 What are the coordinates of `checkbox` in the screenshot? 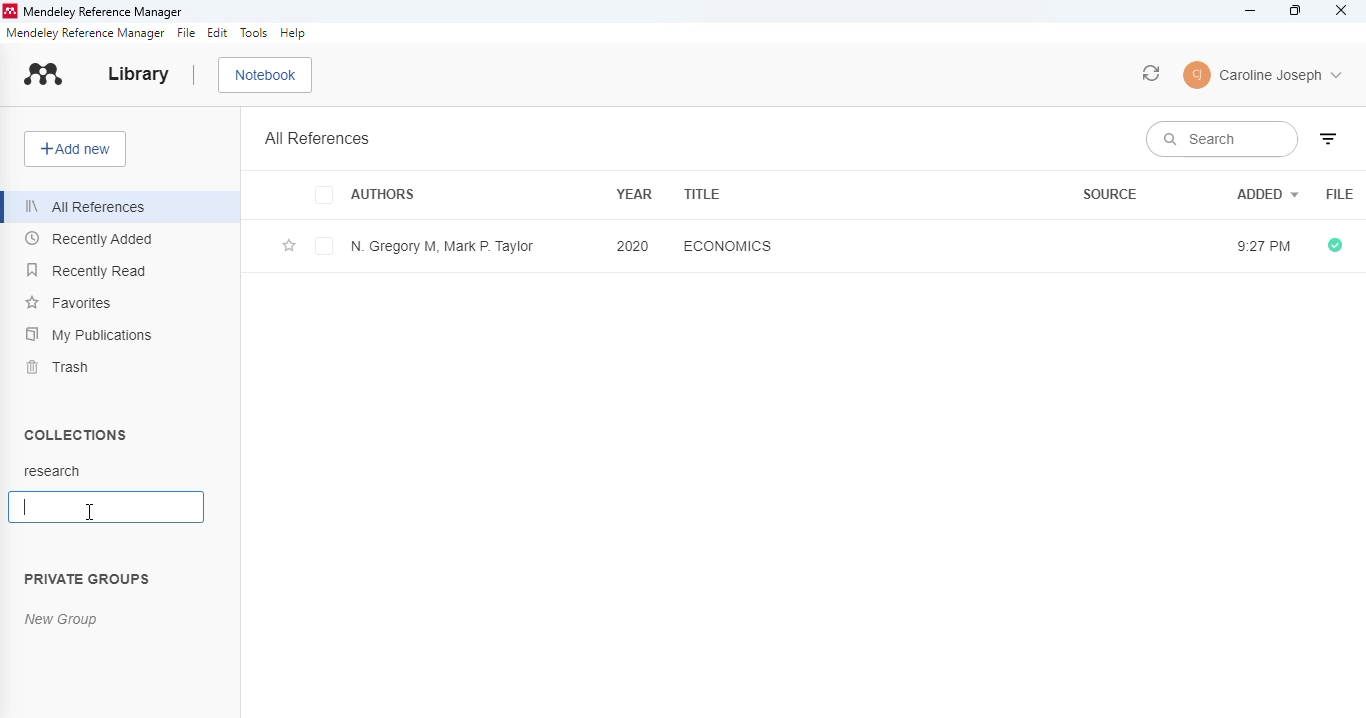 It's located at (327, 196).